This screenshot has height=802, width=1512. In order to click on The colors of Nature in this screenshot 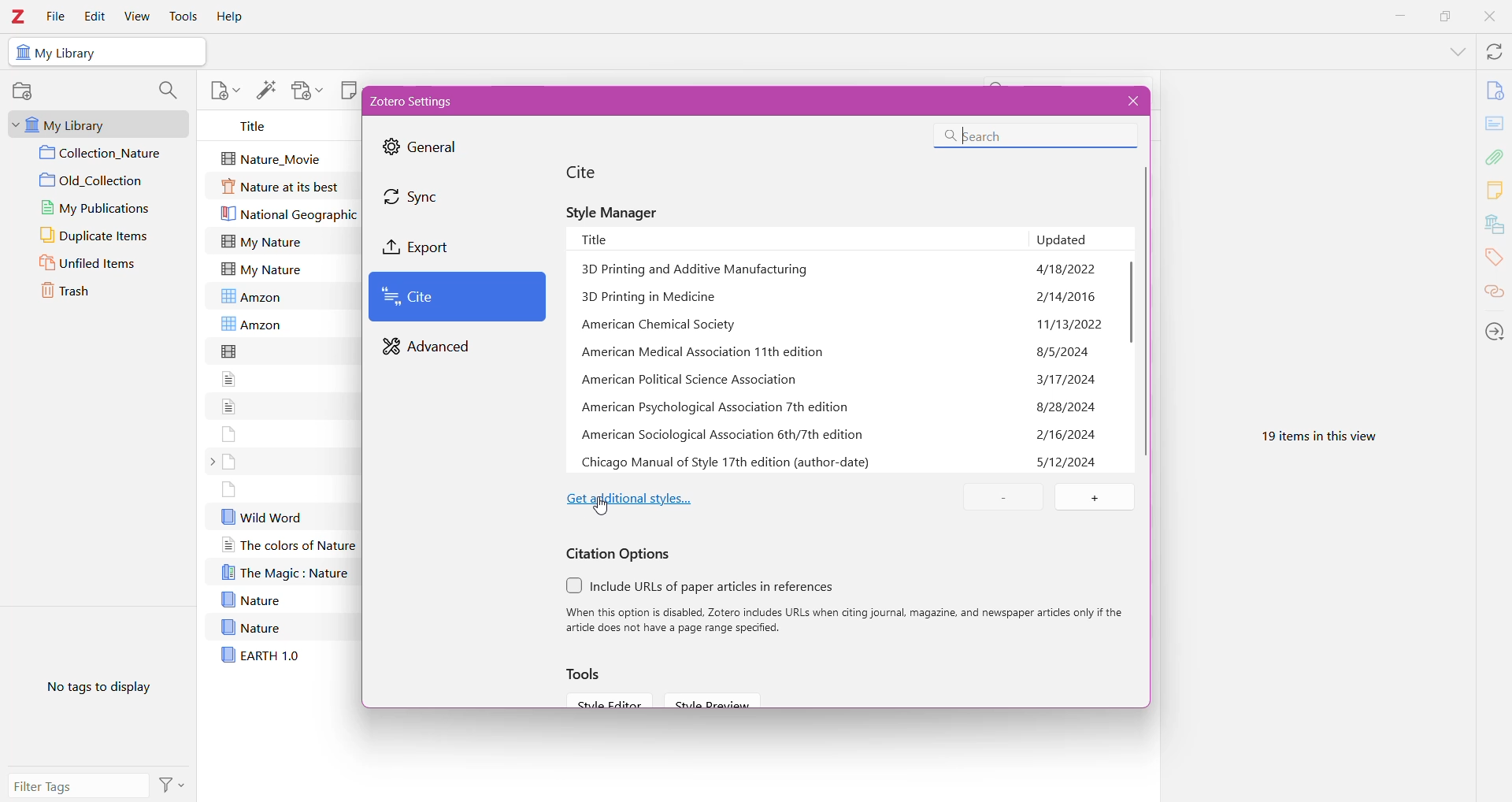, I will do `click(287, 545)`.